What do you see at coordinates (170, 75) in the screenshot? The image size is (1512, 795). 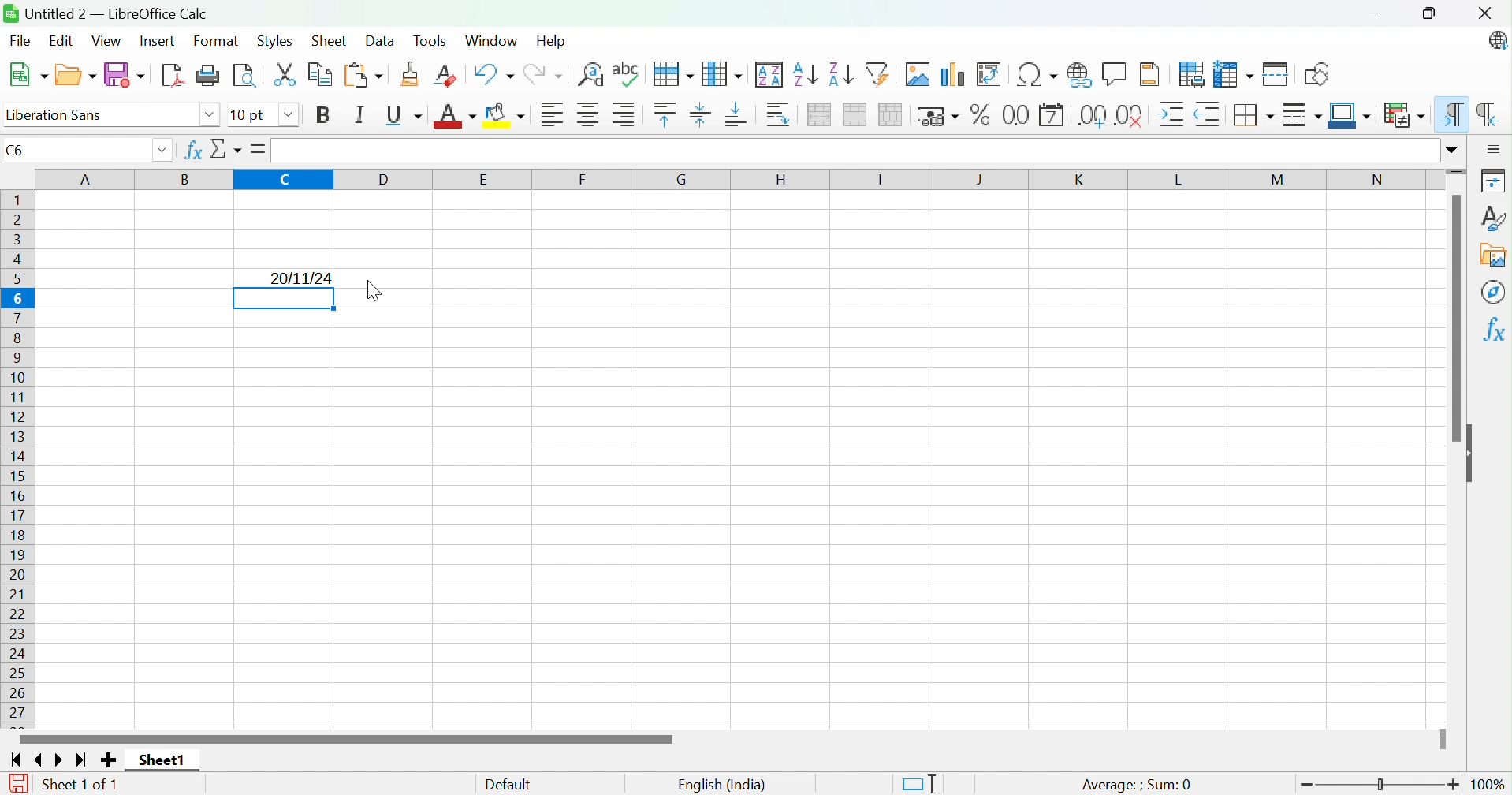 I see `Export as PDF` at bounding box center [170, 75].